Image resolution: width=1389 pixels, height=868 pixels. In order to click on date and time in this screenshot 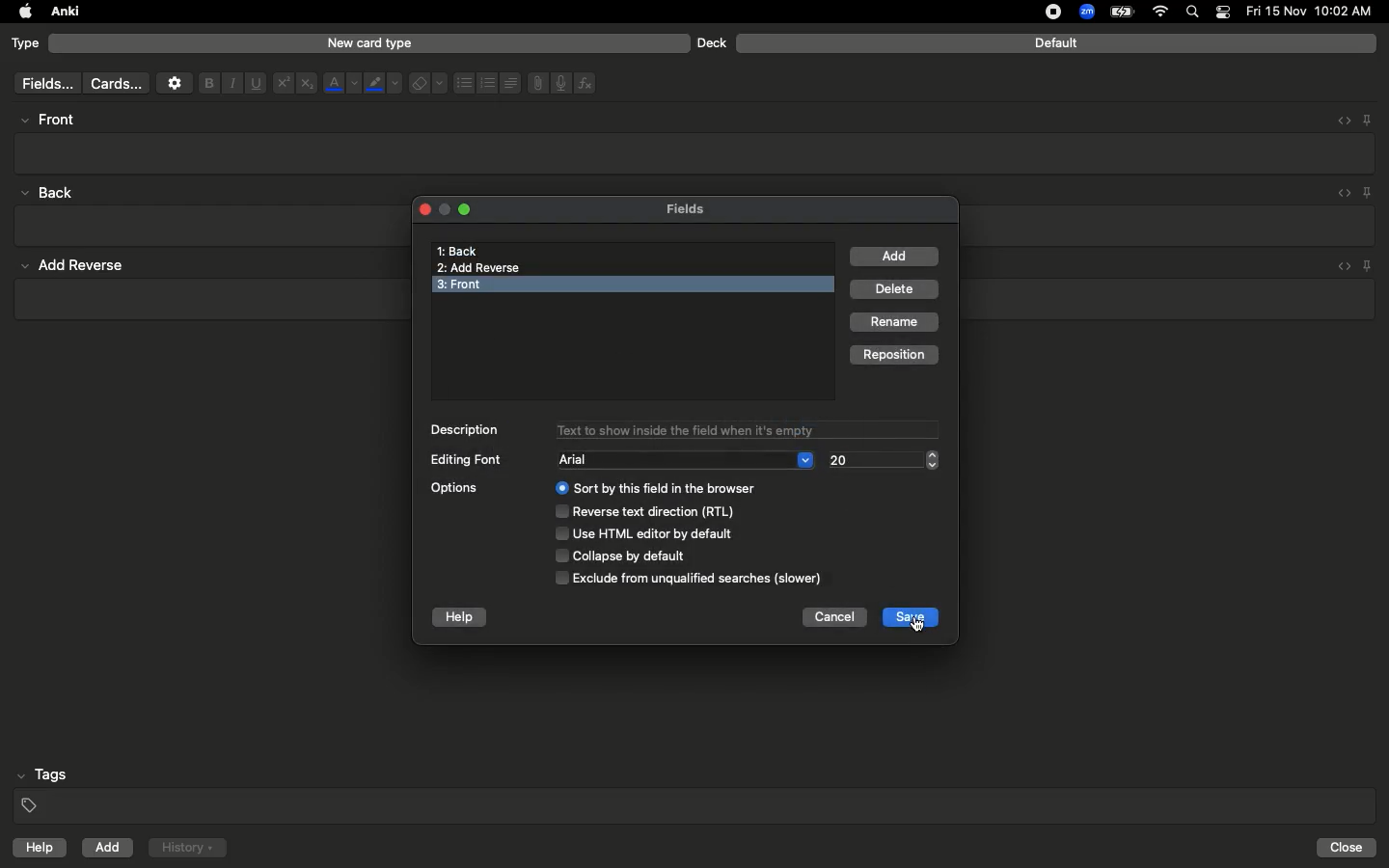, I will do `click(1315, 11)`.